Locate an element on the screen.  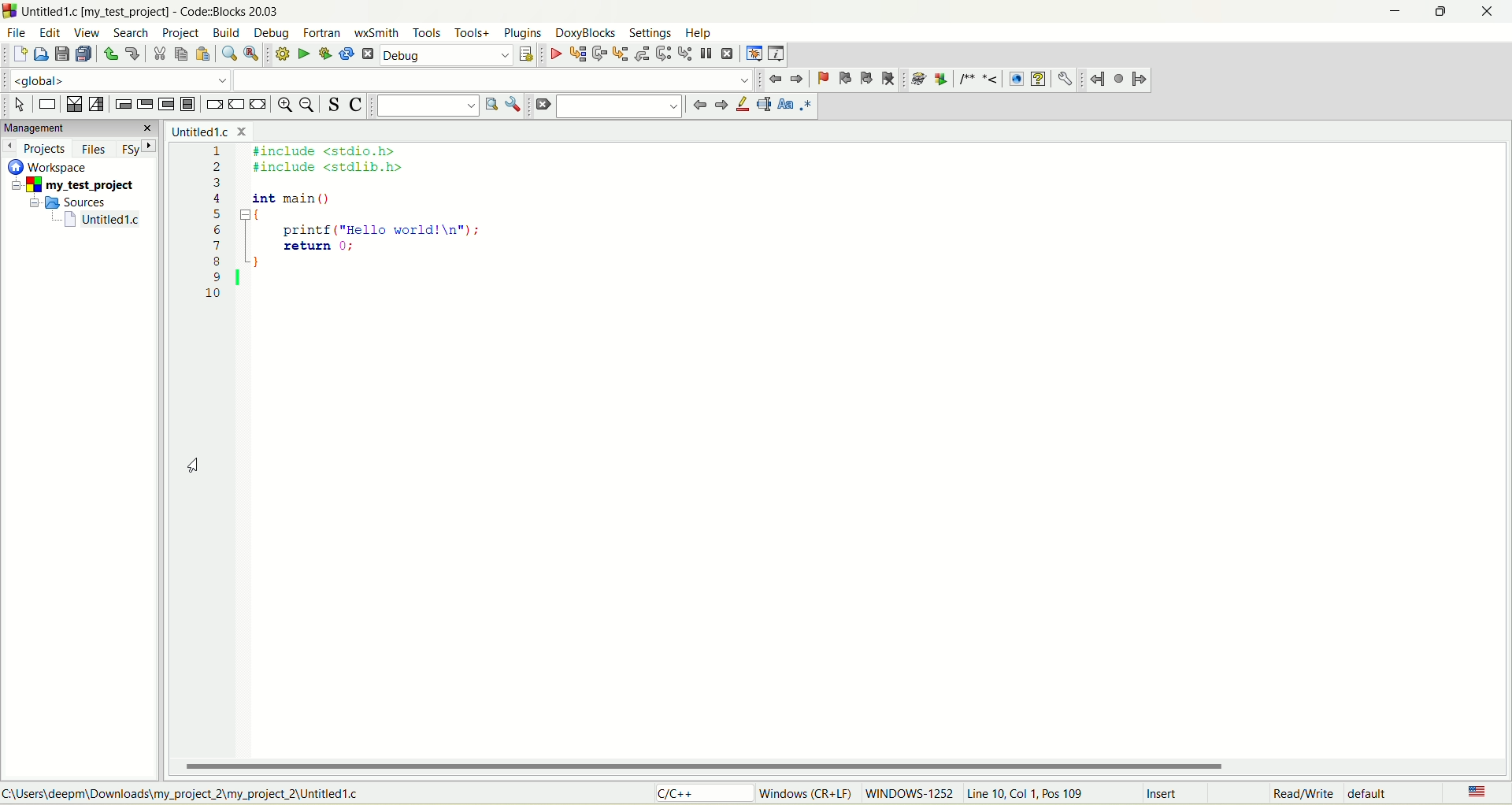
step into is located at coordinates (618, 55).